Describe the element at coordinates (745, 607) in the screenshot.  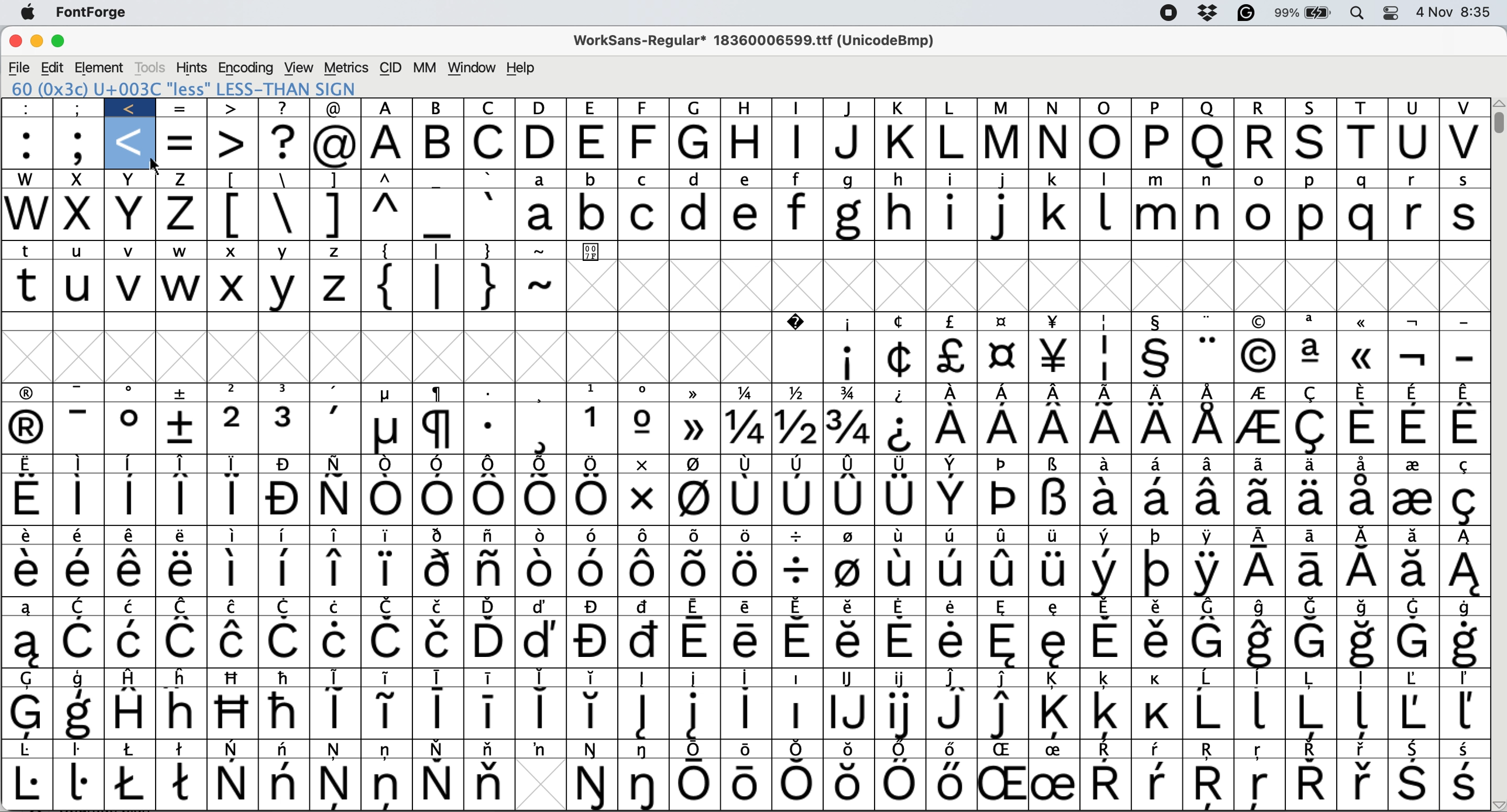
I see `Symbol` at that location.